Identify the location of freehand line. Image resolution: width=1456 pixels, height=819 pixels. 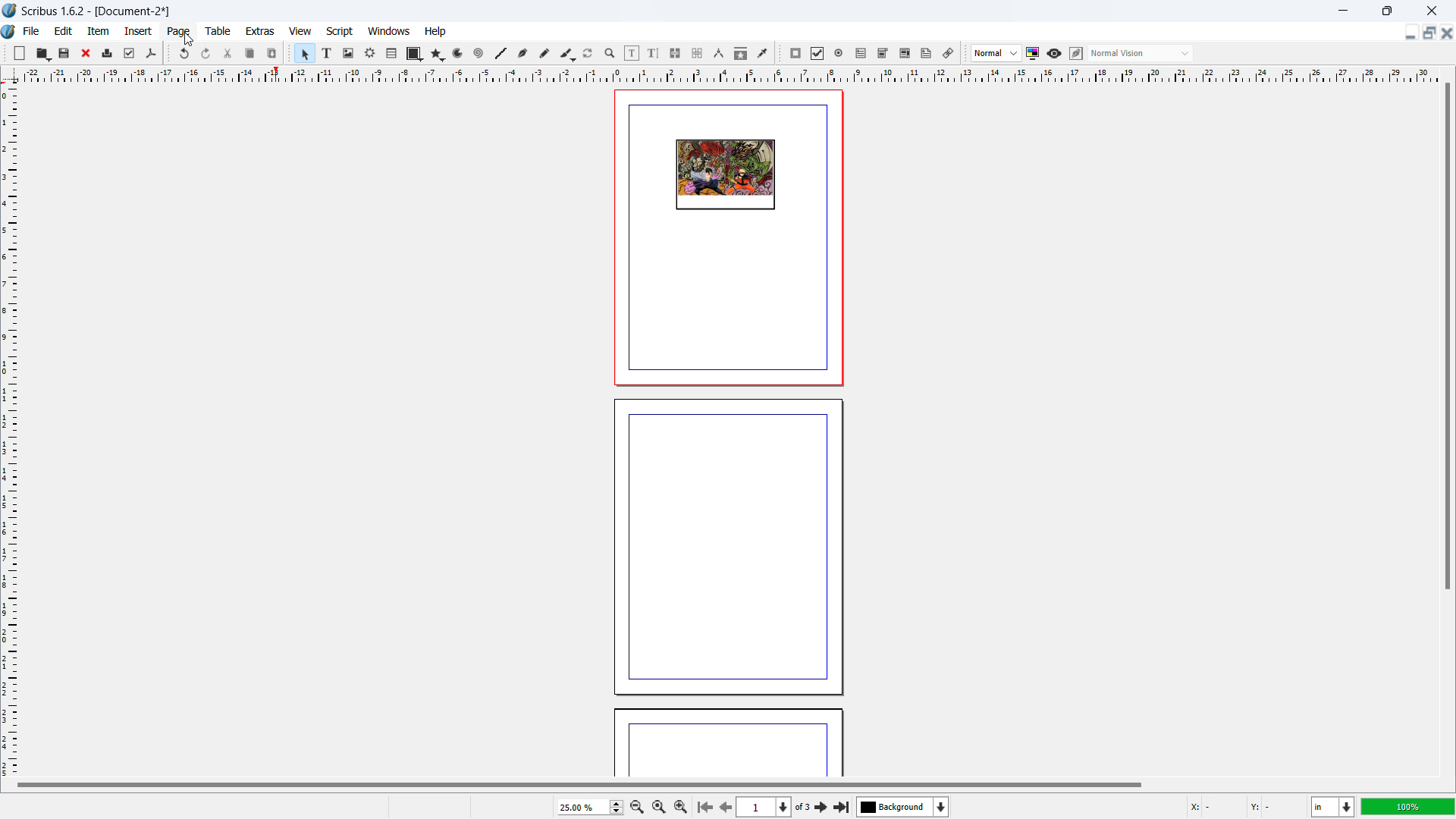
(545, 54).